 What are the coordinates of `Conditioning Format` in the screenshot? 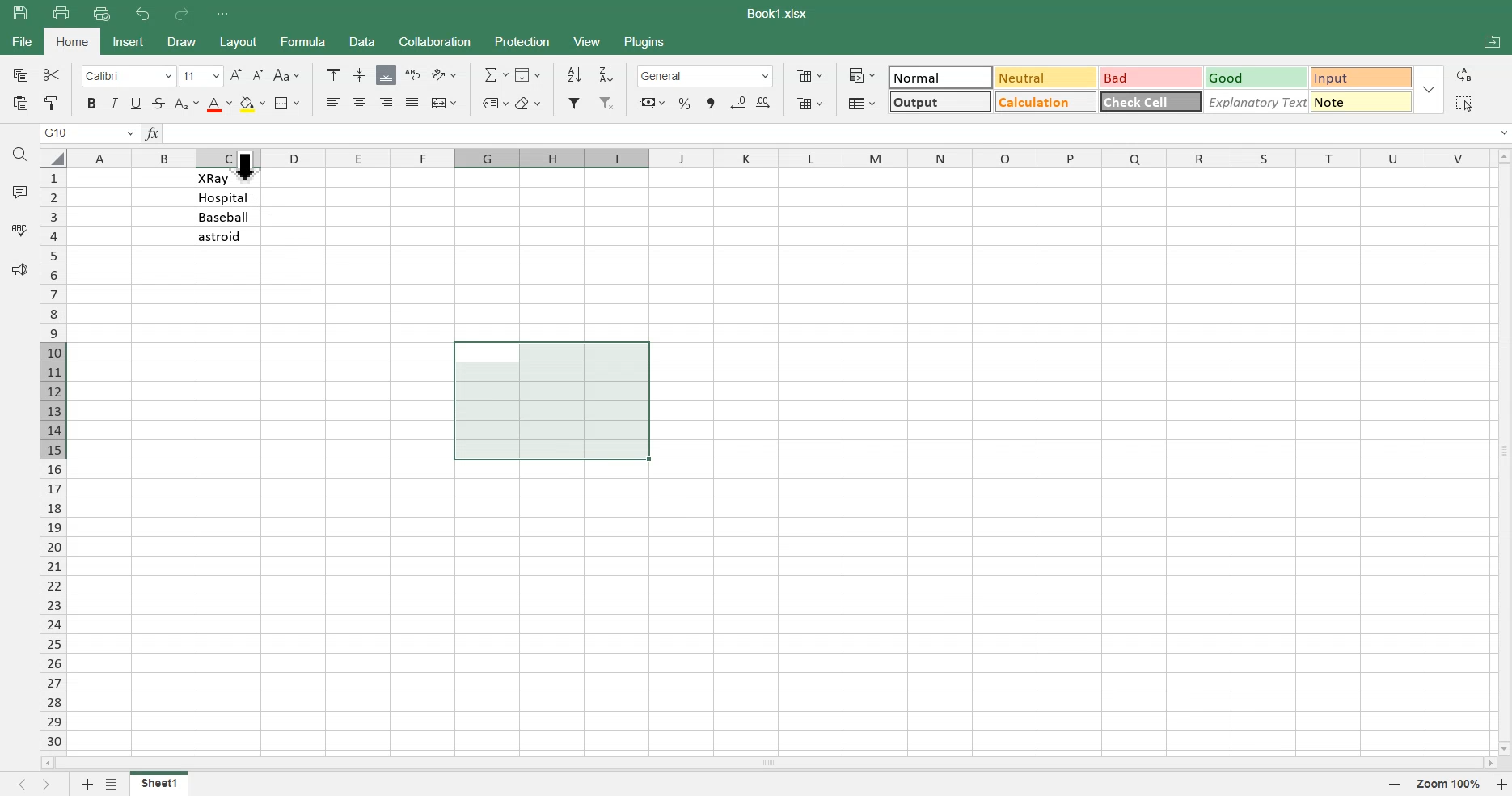 It's located at (861, 74).